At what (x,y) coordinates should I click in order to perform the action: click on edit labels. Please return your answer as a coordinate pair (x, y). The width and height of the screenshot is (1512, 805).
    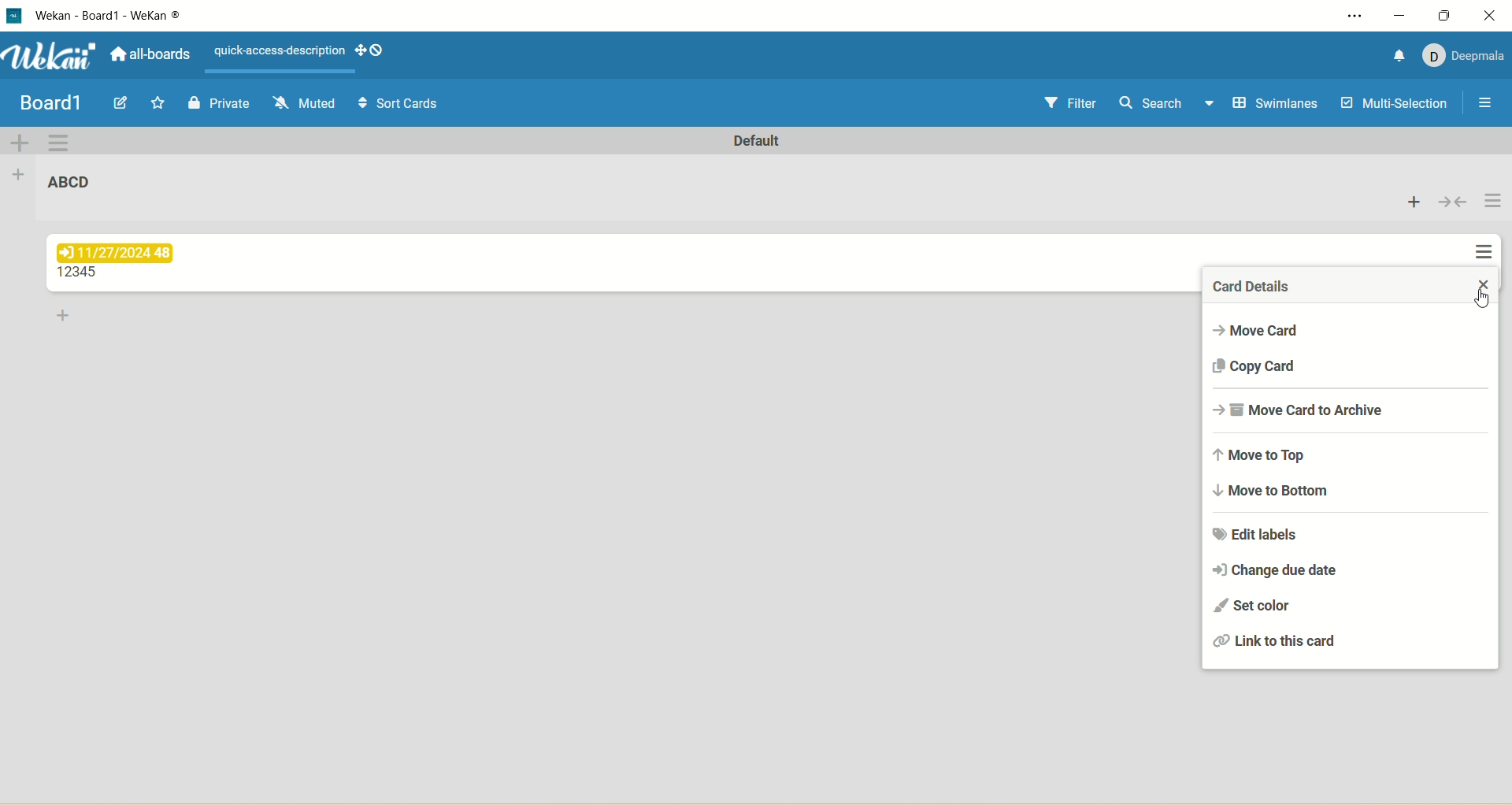
    Looking at the image, I should click on (1266, 536).